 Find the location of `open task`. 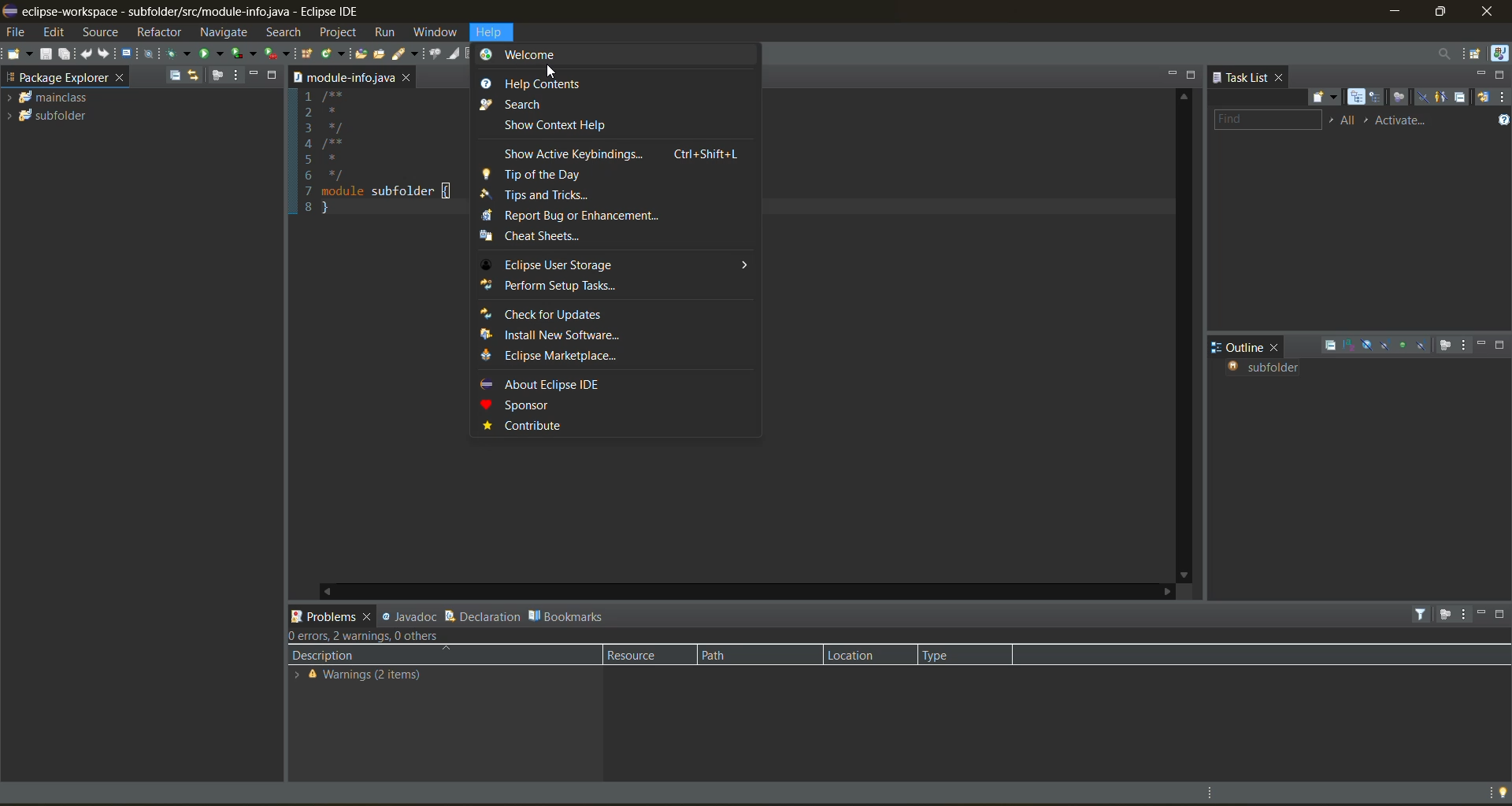

open task is located at coordinates (380, 52).